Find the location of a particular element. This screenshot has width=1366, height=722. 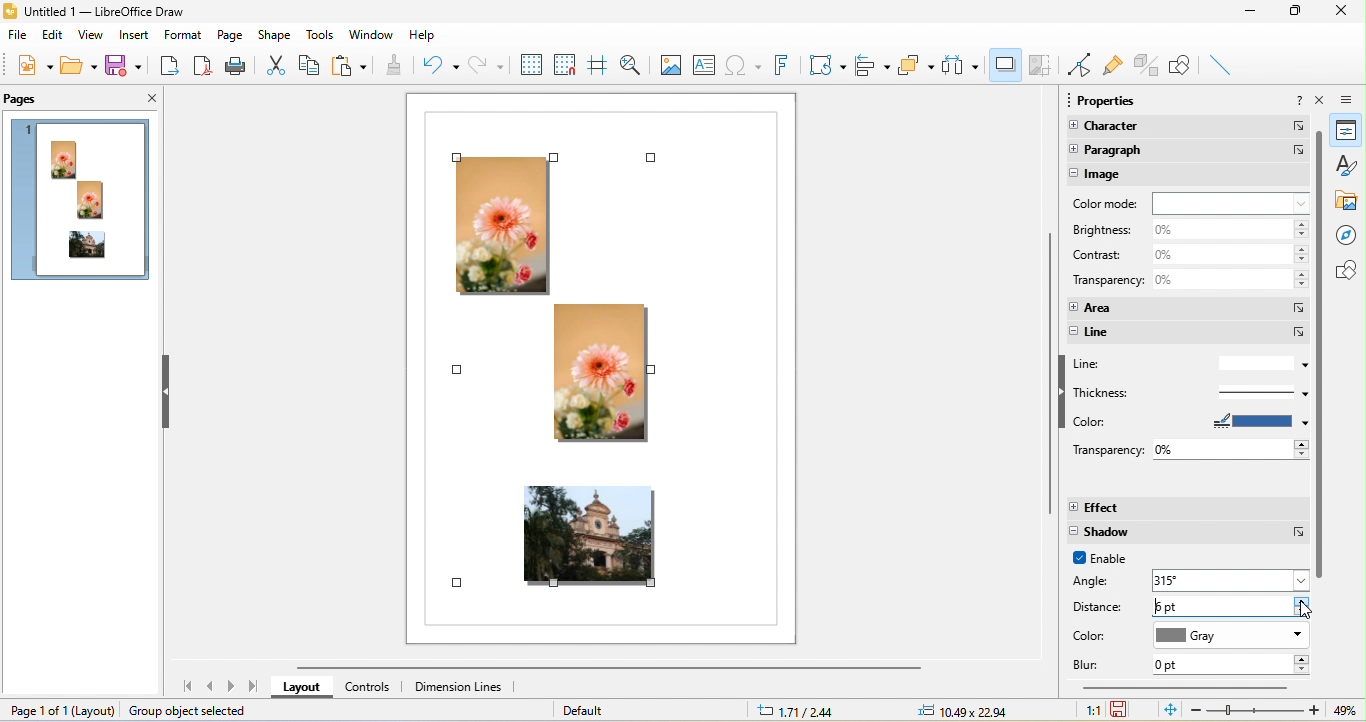

shadow is located at coordinates (1188, 533).